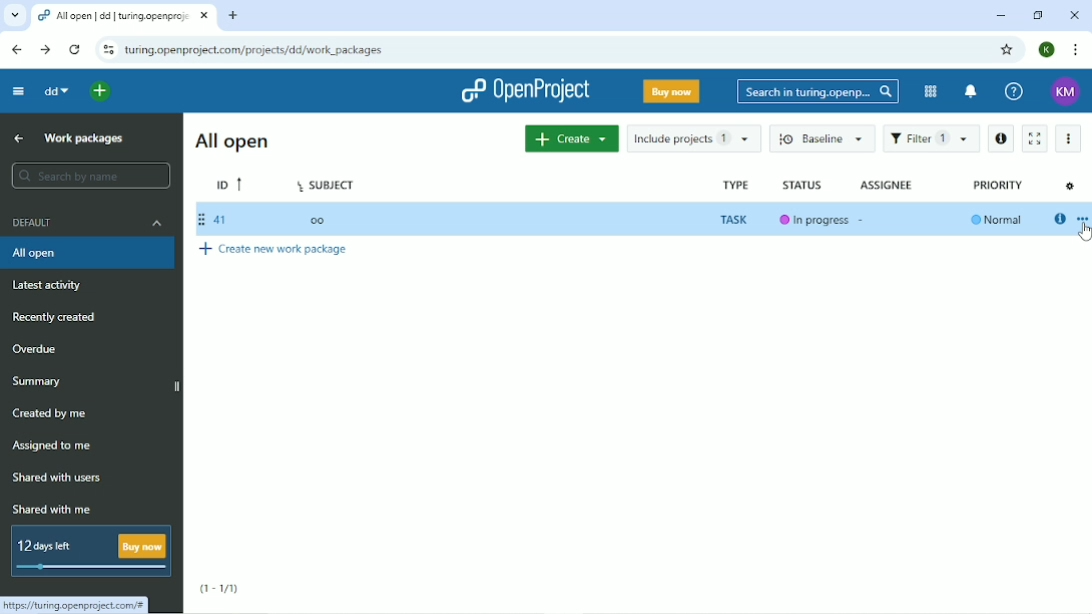 The width and height of the screenshot is (1092, 614). What do you see at coordinates (87, 253) in the screenshot?
I see `All open` at bounding box center [87, 253].